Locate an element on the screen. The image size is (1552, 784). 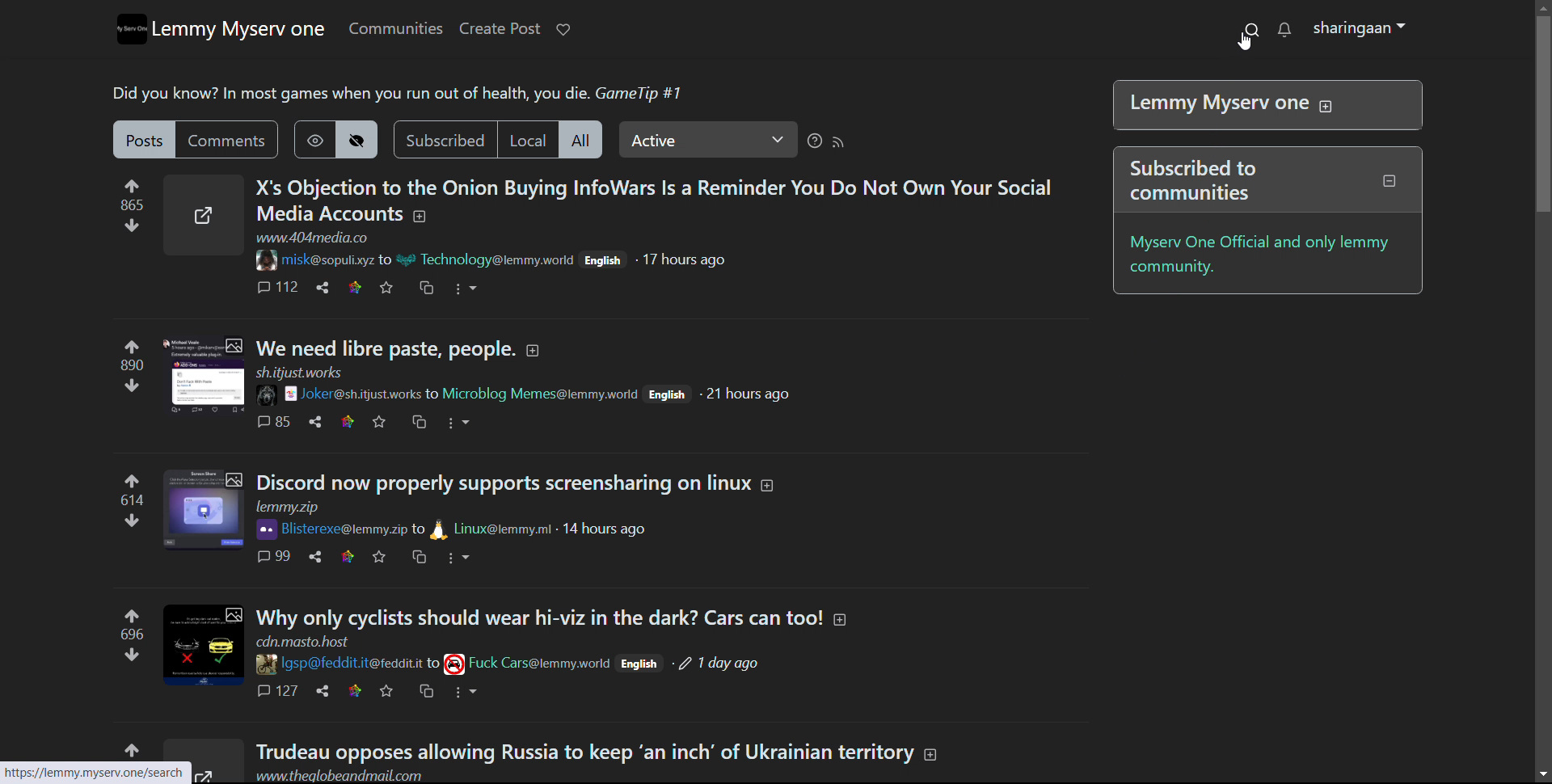
Active(select relevance) is located at coordinates (708, 139).